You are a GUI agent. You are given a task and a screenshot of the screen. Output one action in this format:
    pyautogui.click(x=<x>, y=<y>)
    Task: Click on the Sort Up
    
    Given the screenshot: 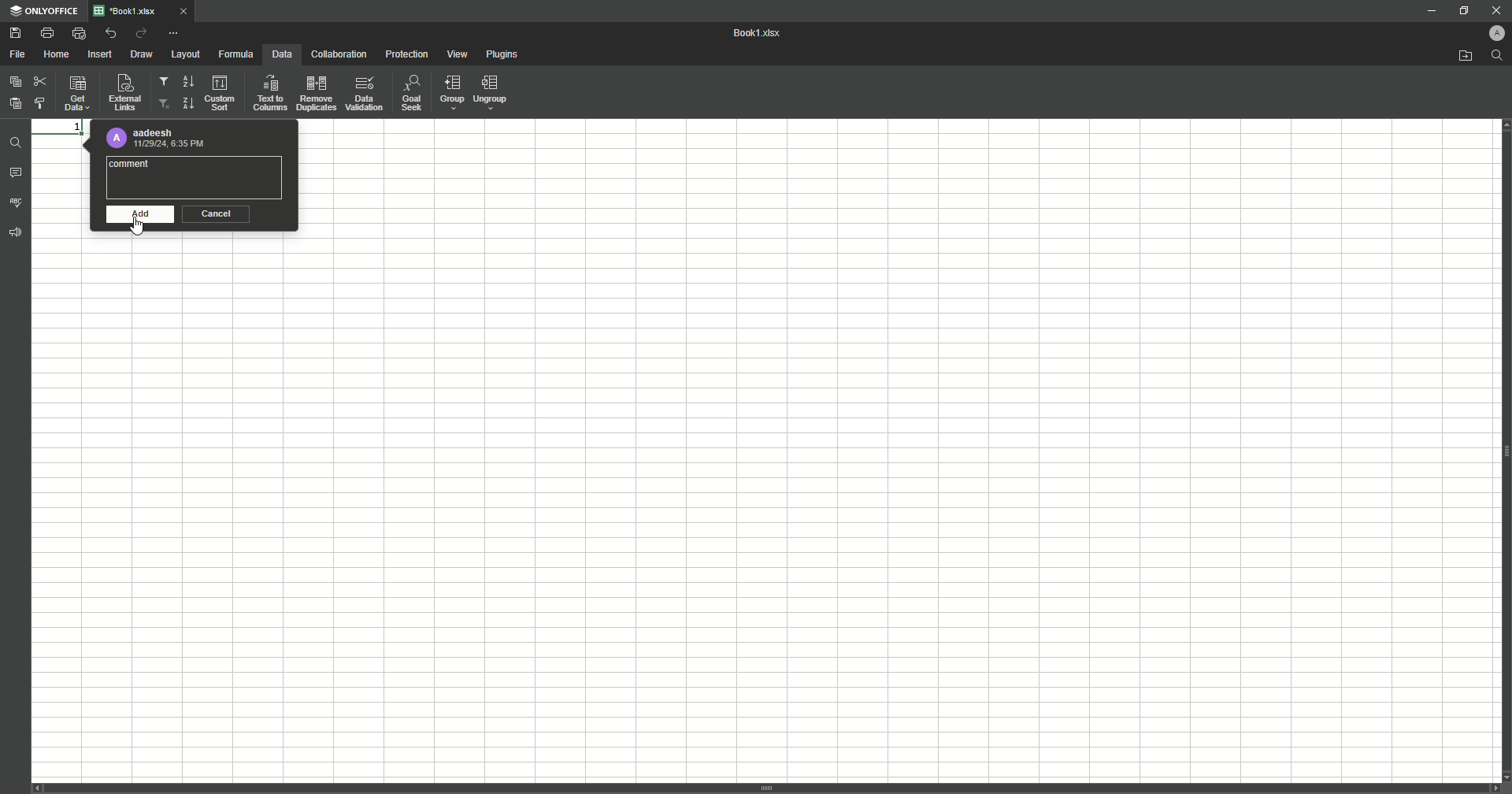 What is the action you would take?
    pyautogui.click(x=187, y=103)
    